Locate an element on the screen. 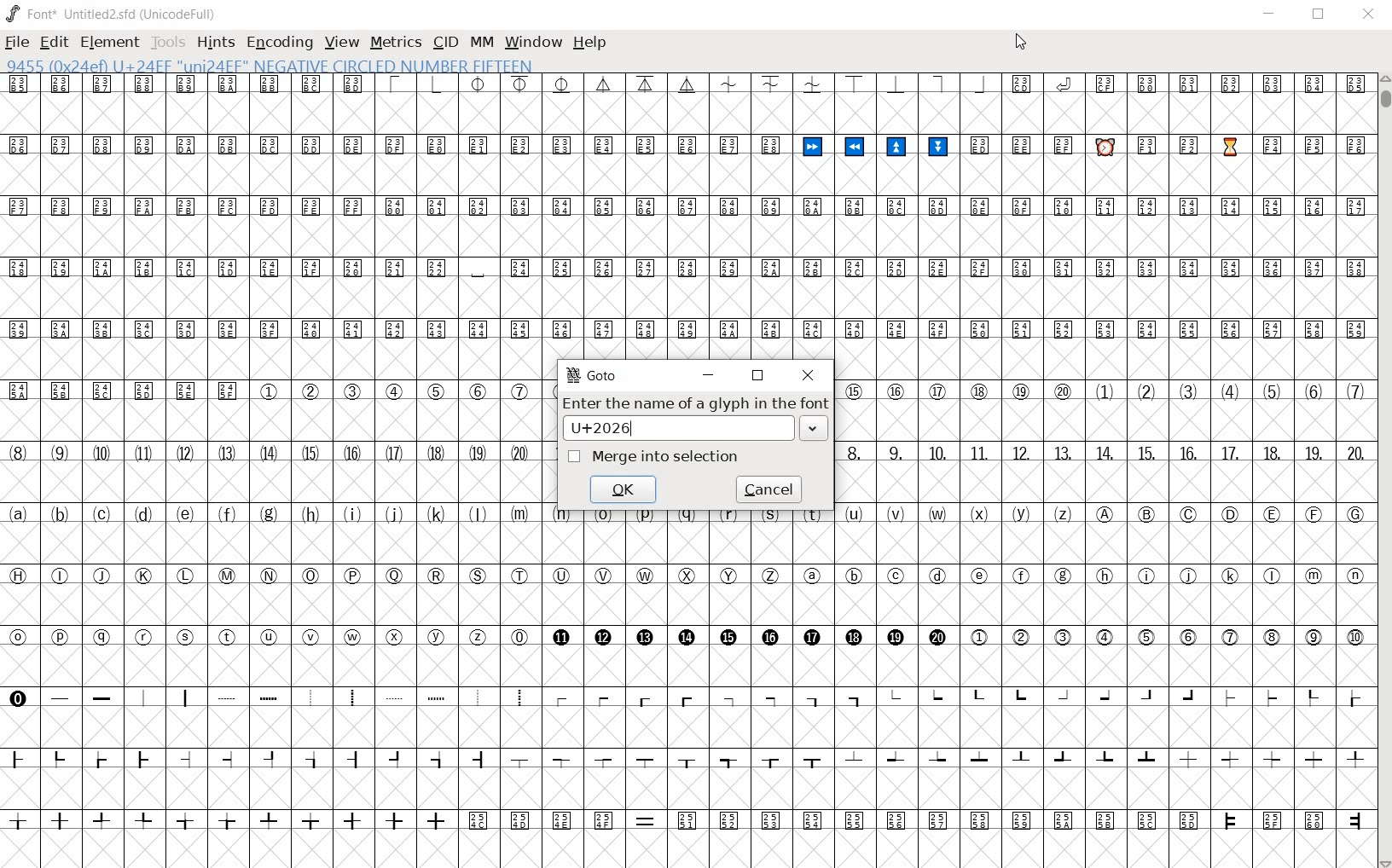  HELP is located at coordinates (590, 43).